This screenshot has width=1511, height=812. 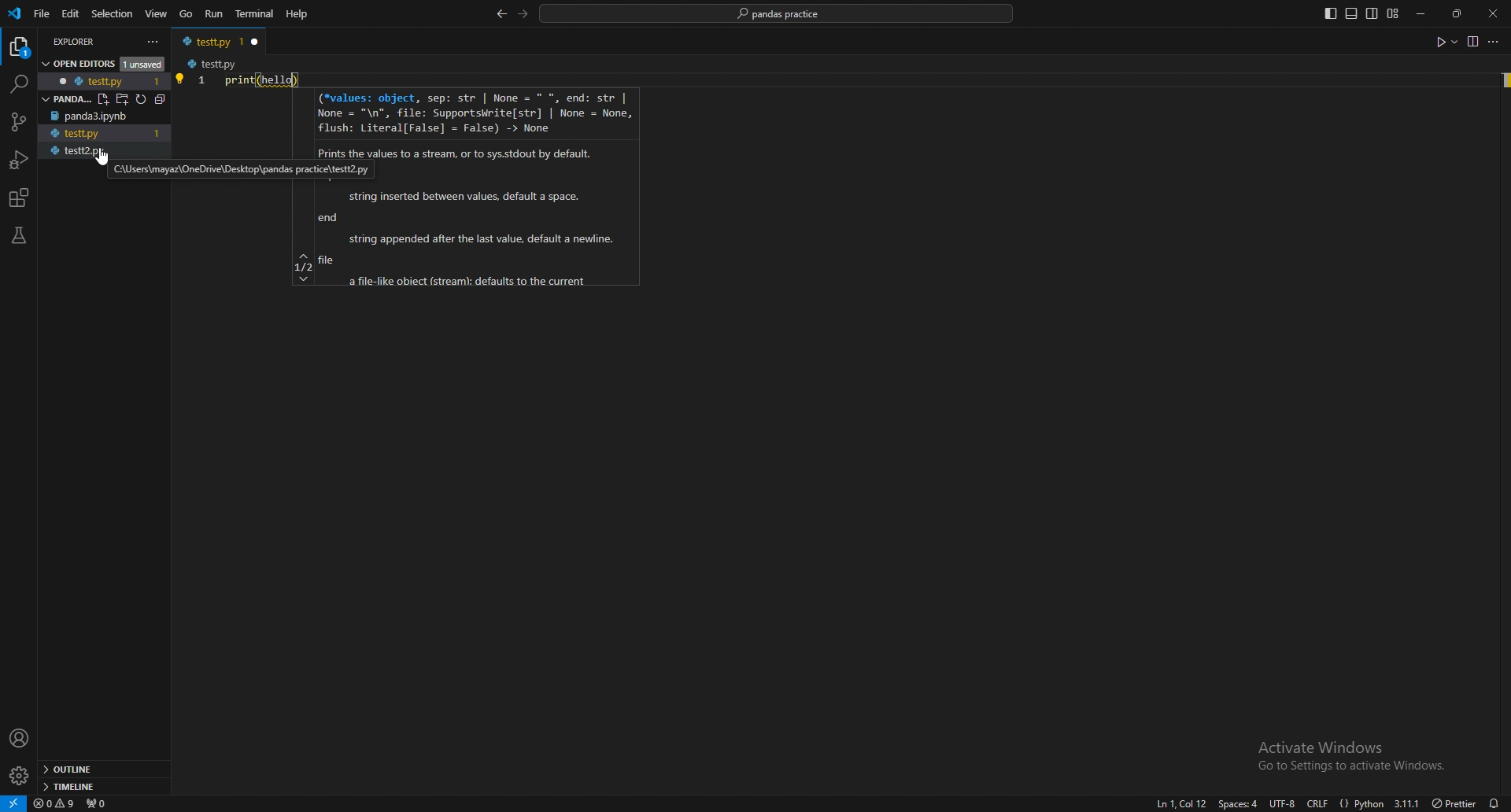 What do you see at coordinates (464, 191) in the screenshot?
I see `(*values: object, sep: str | None = " “, end: str |
None = "\n", file: Supportsrite[str] | None = None,
flush: Literal[False] = False) -> None
Prints the values to a stream, or to sys.stdout by defauit.
cactice\testt2.py
string inserted between values, default a space.
end
string appended after the last value, default a newline.
7a fle
v a file-like obiect (stream: defaults to the current` at bounding box center [464, 191].